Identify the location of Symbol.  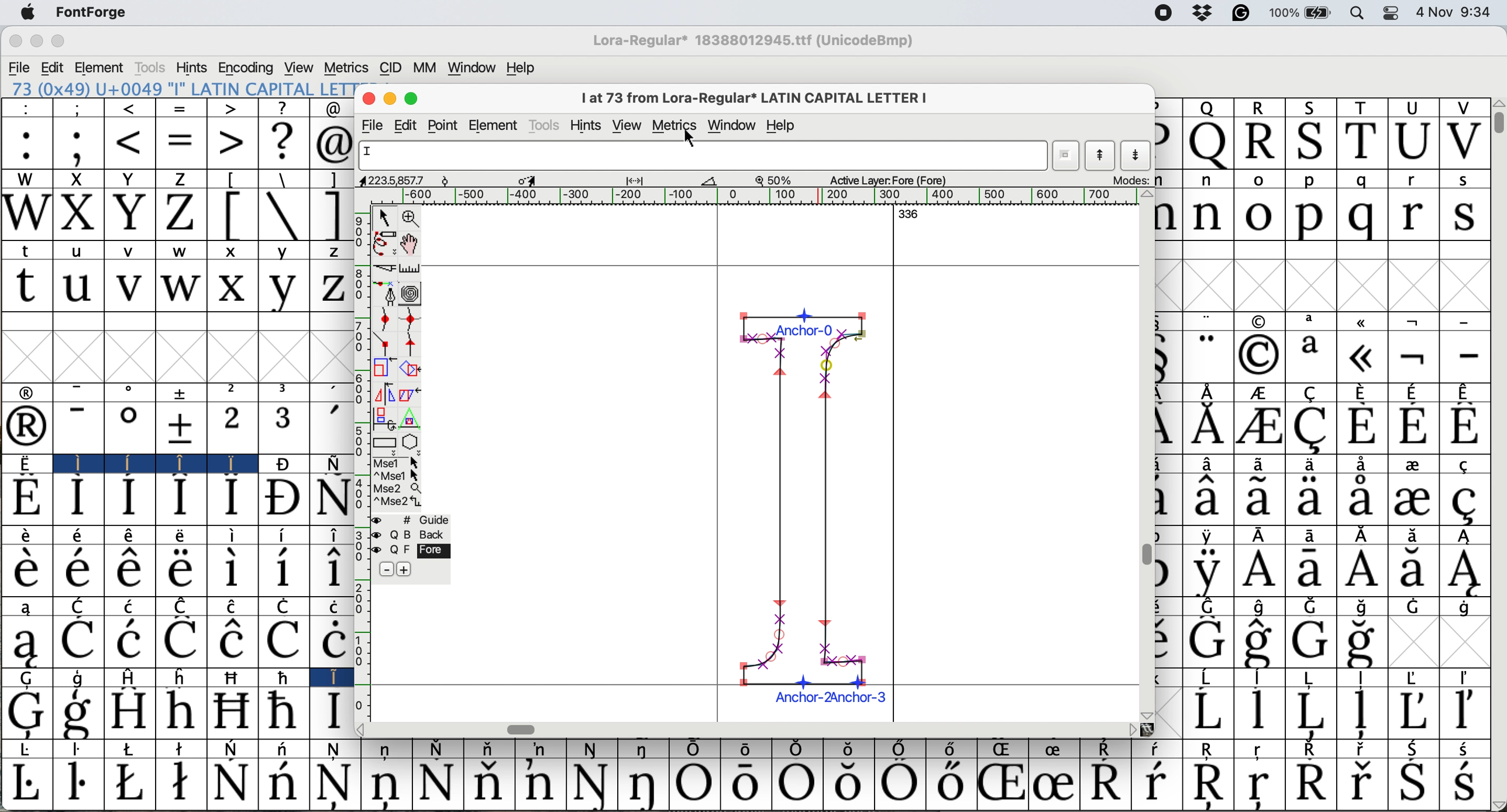
(1108, 782).